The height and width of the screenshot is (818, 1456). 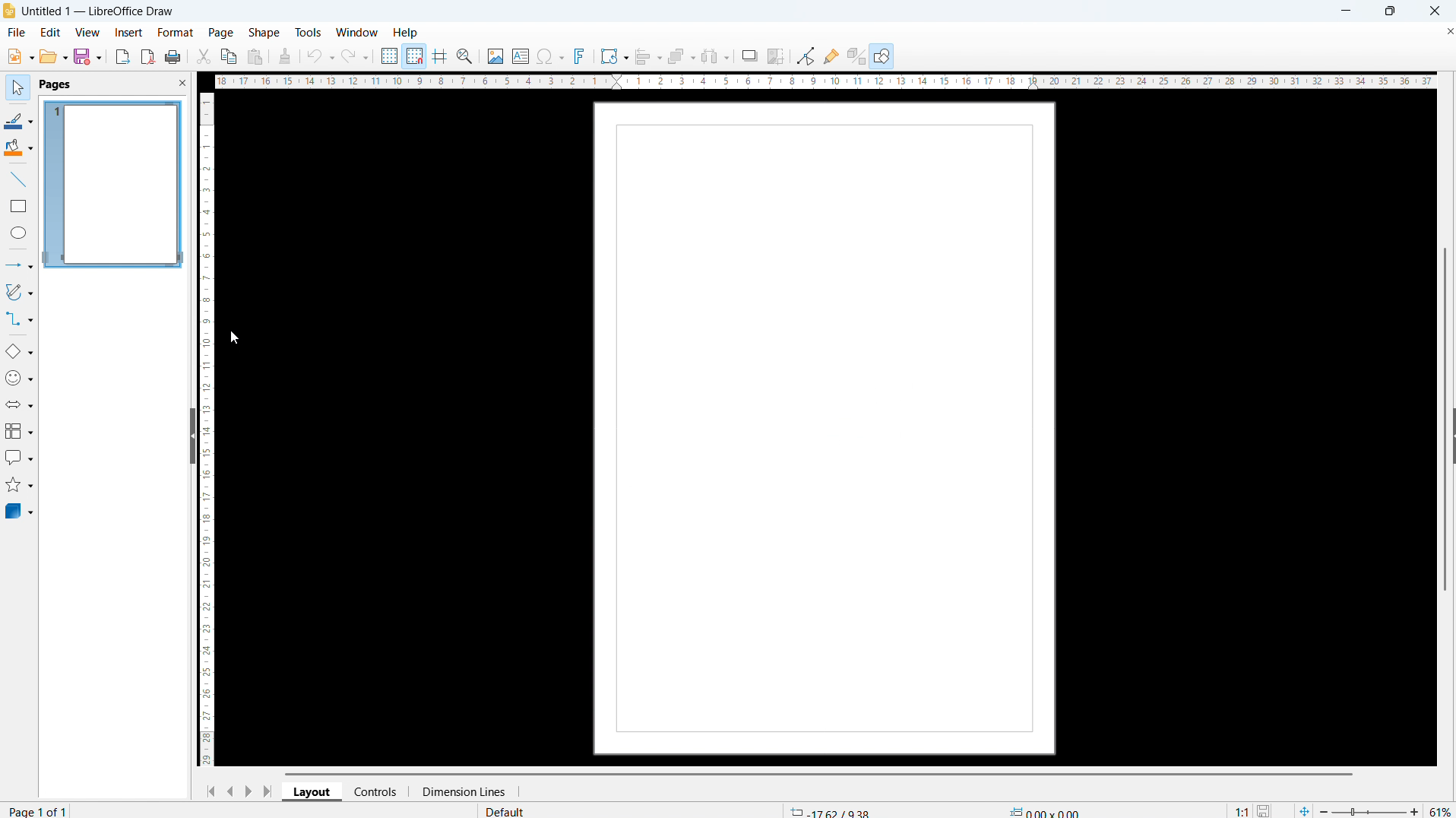 What do you see at coordinates (20, 233) in the screenshot?
I see `ellipse` at bounding box center [20, 233].